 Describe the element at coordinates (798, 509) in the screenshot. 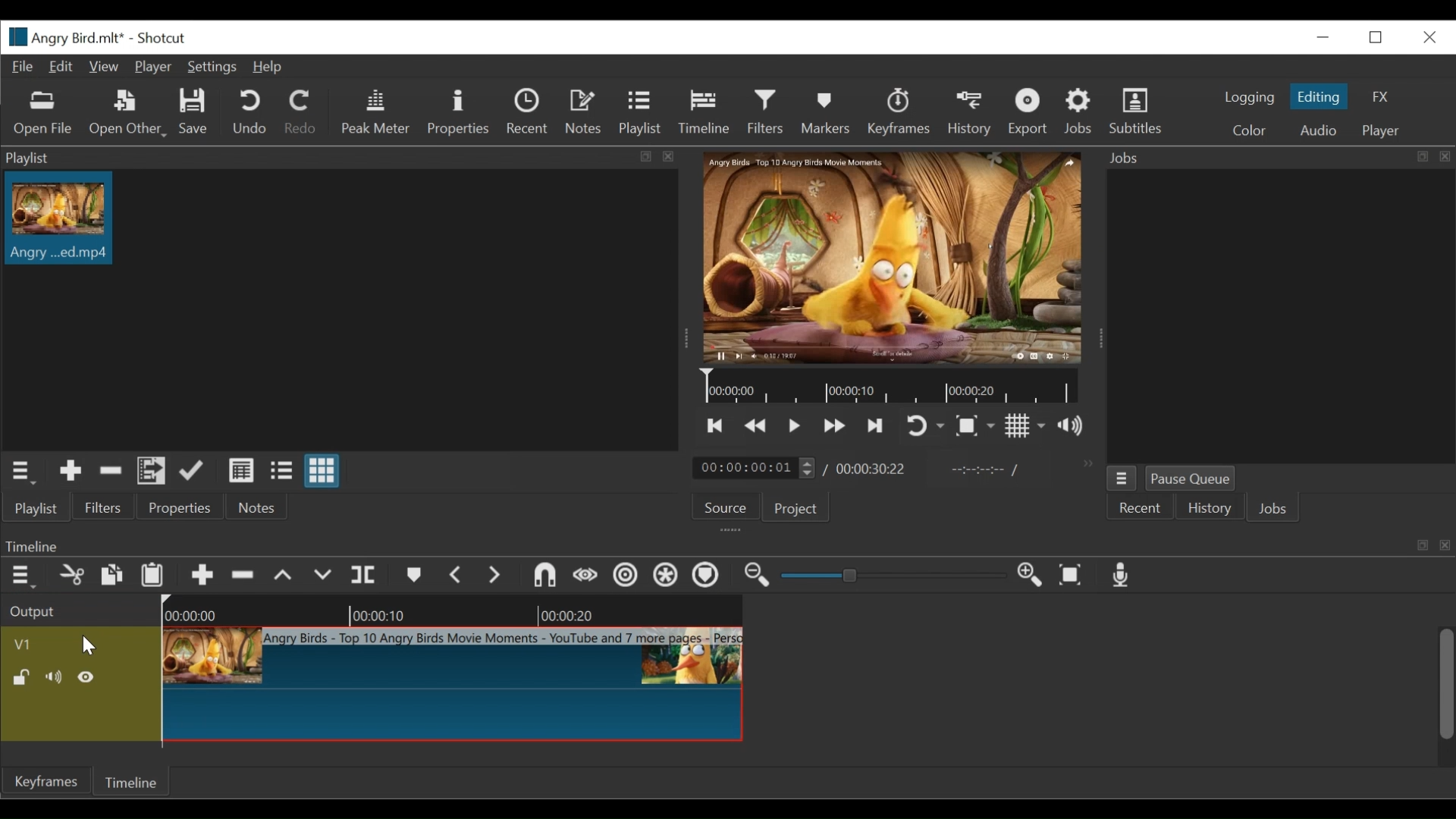

I see `Project` at that location.